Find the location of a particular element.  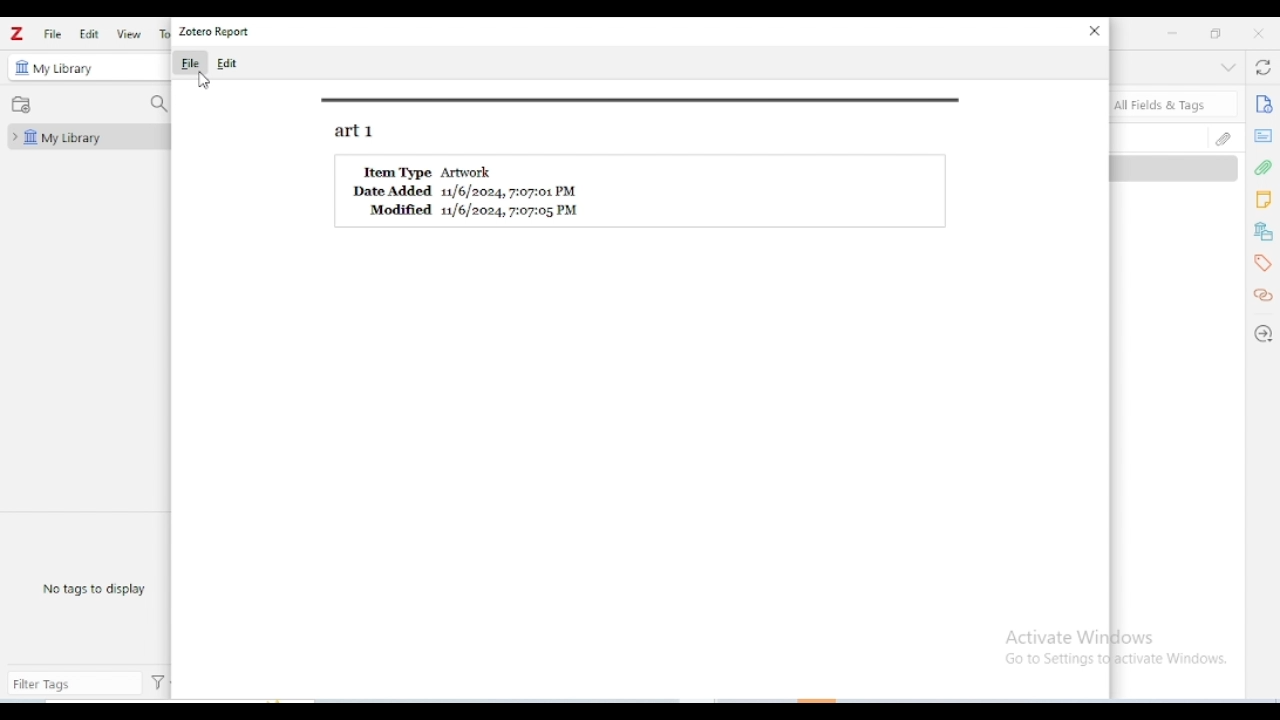

my library is located at coordinates (64, 69).